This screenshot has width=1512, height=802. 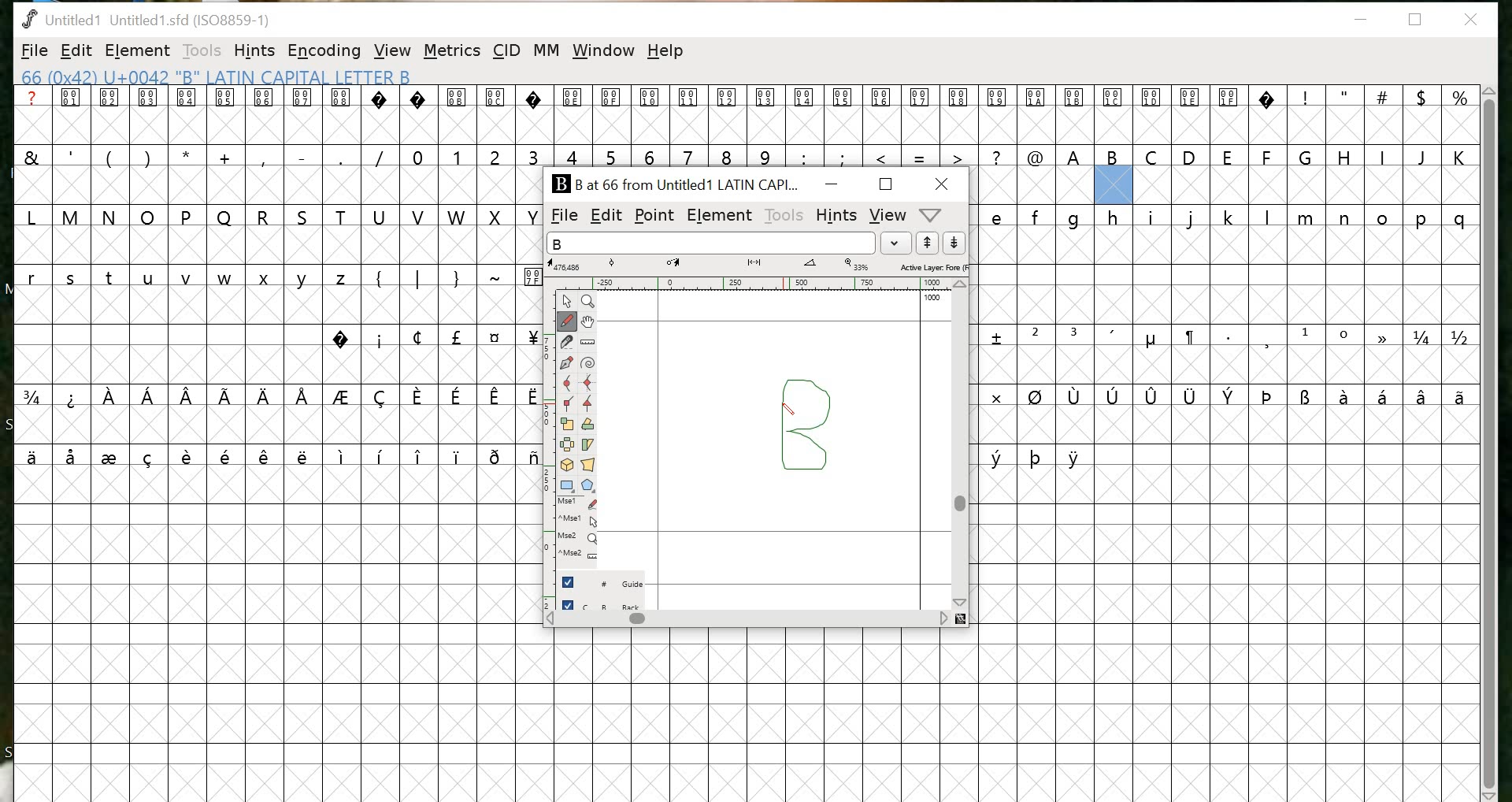 I want to click on HINTS, so click(x=254, y=51).